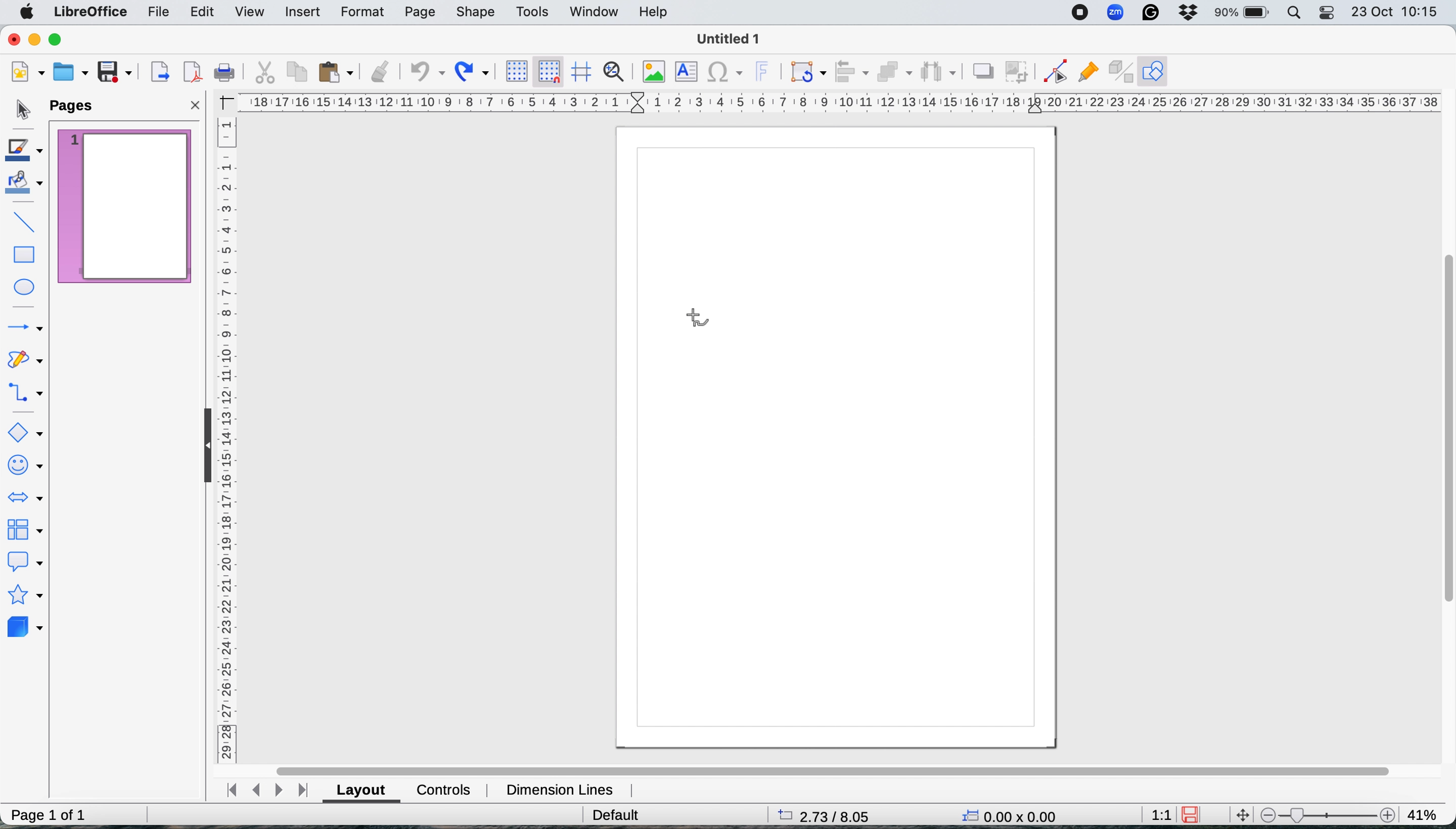 The image size is (1456, 829). Describe the element at coordinates (363, 12) in the screenshot. I see `format` at that location.